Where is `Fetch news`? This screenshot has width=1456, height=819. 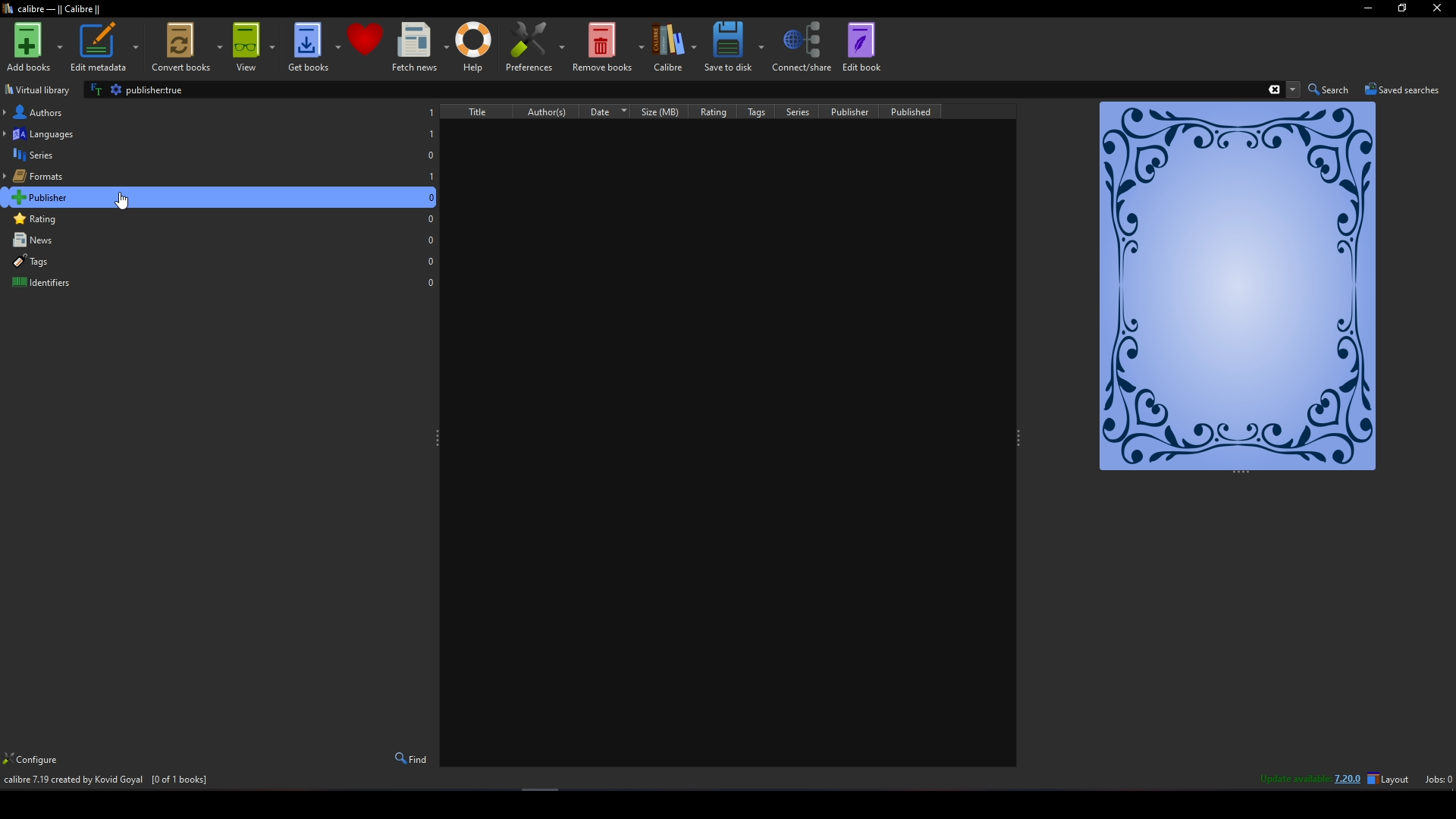 Fetch news is located at coordinates (419, 47).